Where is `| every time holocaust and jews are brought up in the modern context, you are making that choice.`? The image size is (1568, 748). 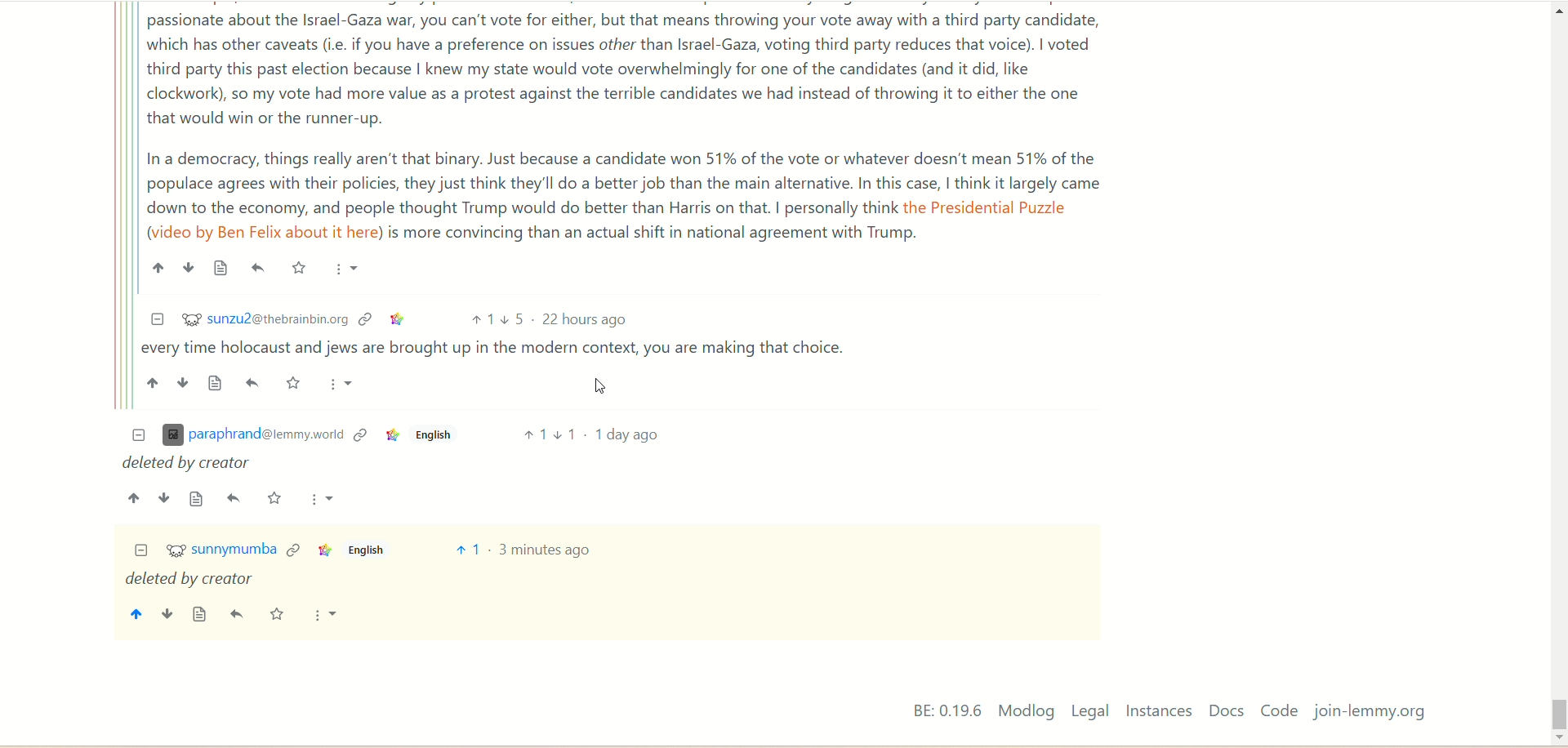 | every time holocaust and jews are brought up in the modern context, you are making that choice. is located at coordinates (500, 350).